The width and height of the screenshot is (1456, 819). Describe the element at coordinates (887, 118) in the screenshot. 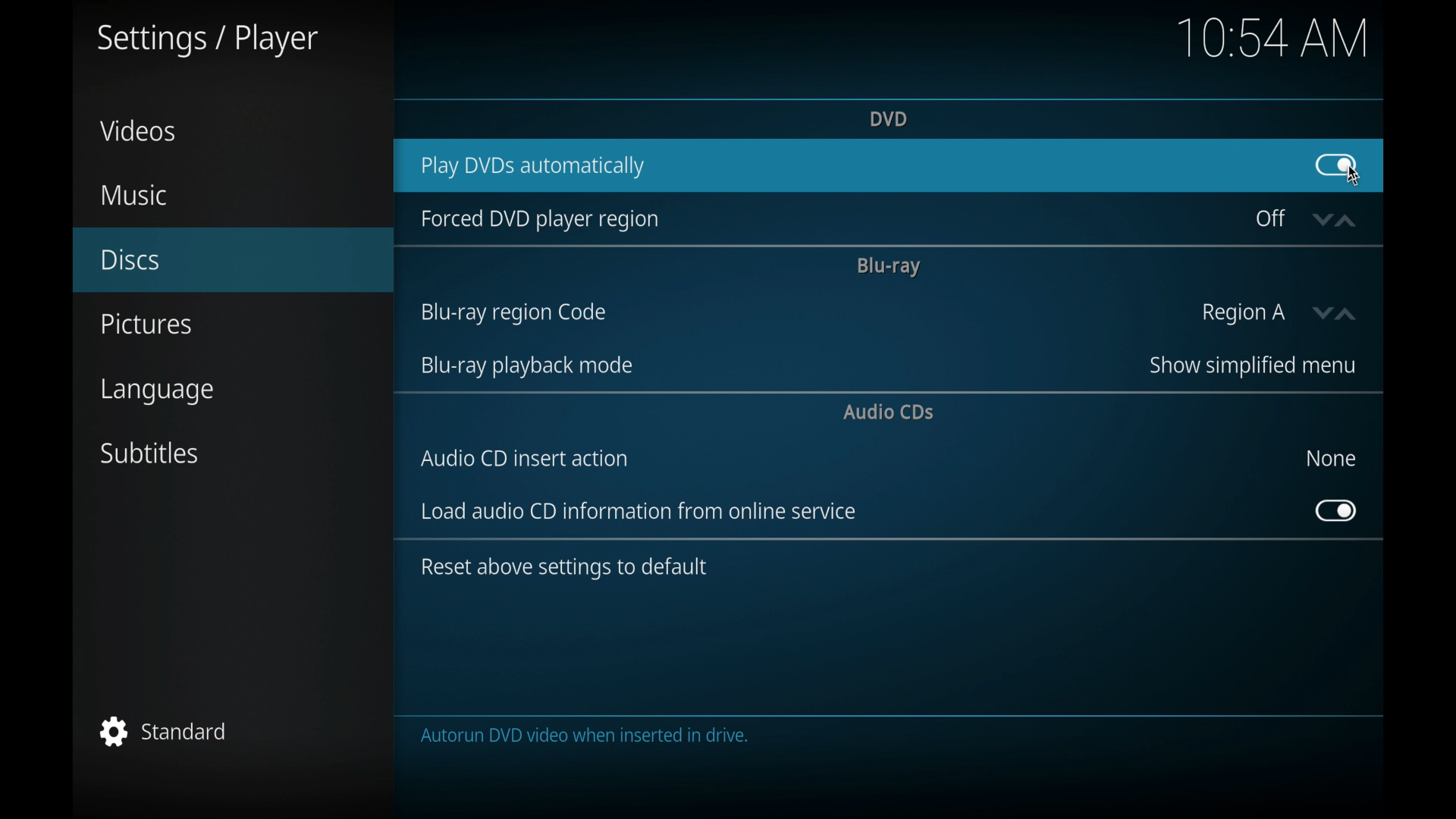

I see `dvd` at that location.